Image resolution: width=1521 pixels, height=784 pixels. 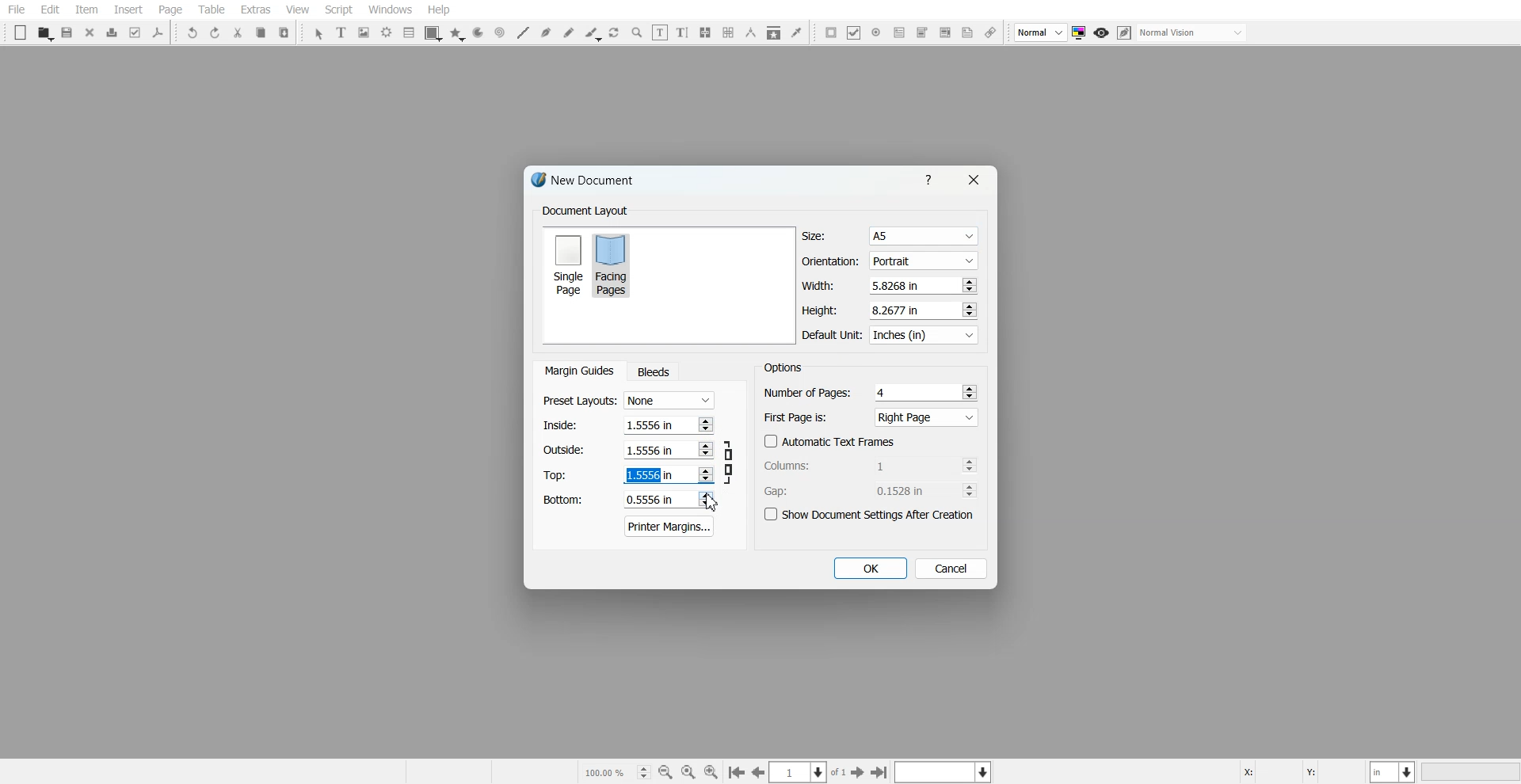 I want to click on PDF List Box, so click(x=944, y=33).